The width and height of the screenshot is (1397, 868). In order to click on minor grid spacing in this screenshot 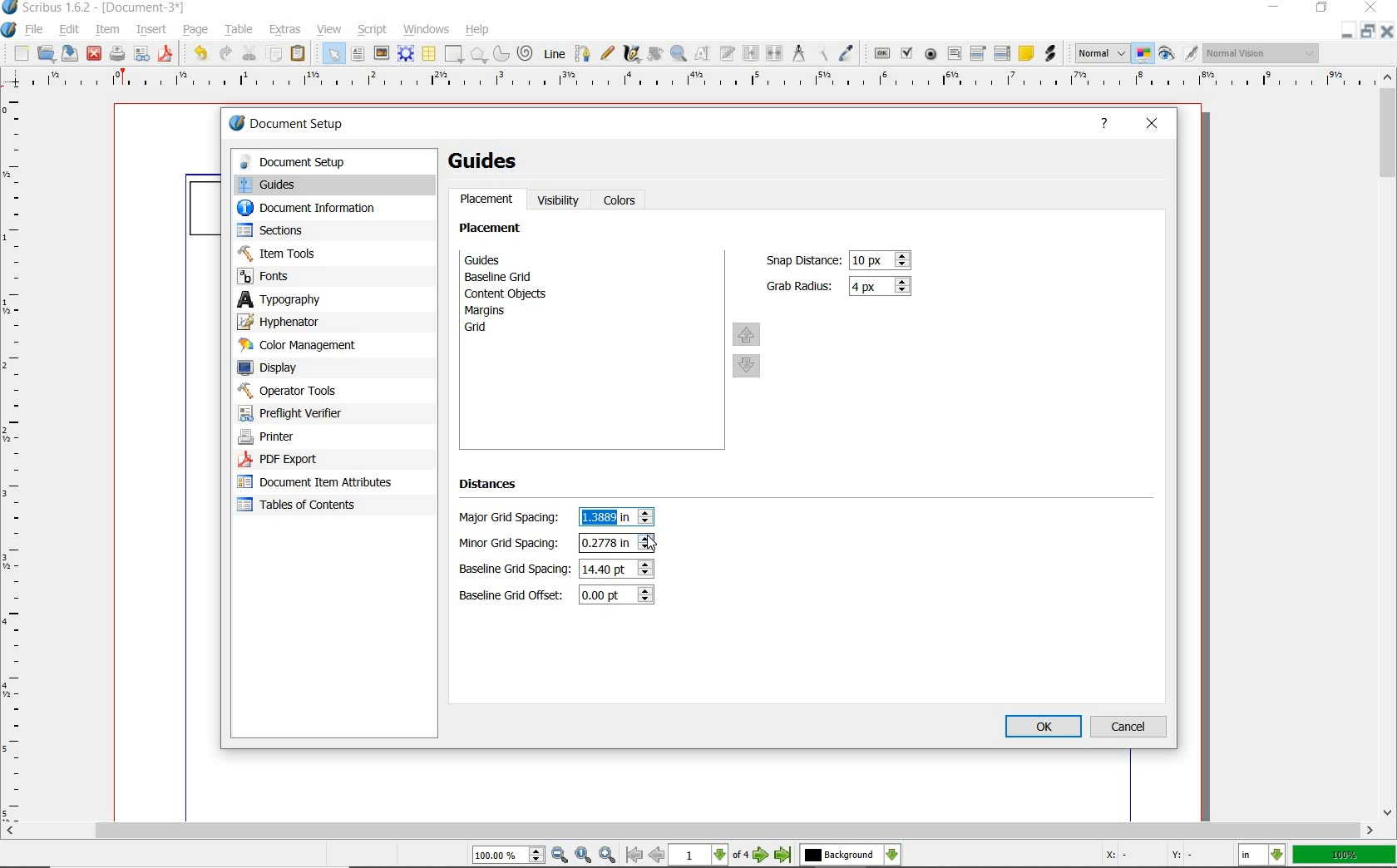, I will do `click(615, 542)`.